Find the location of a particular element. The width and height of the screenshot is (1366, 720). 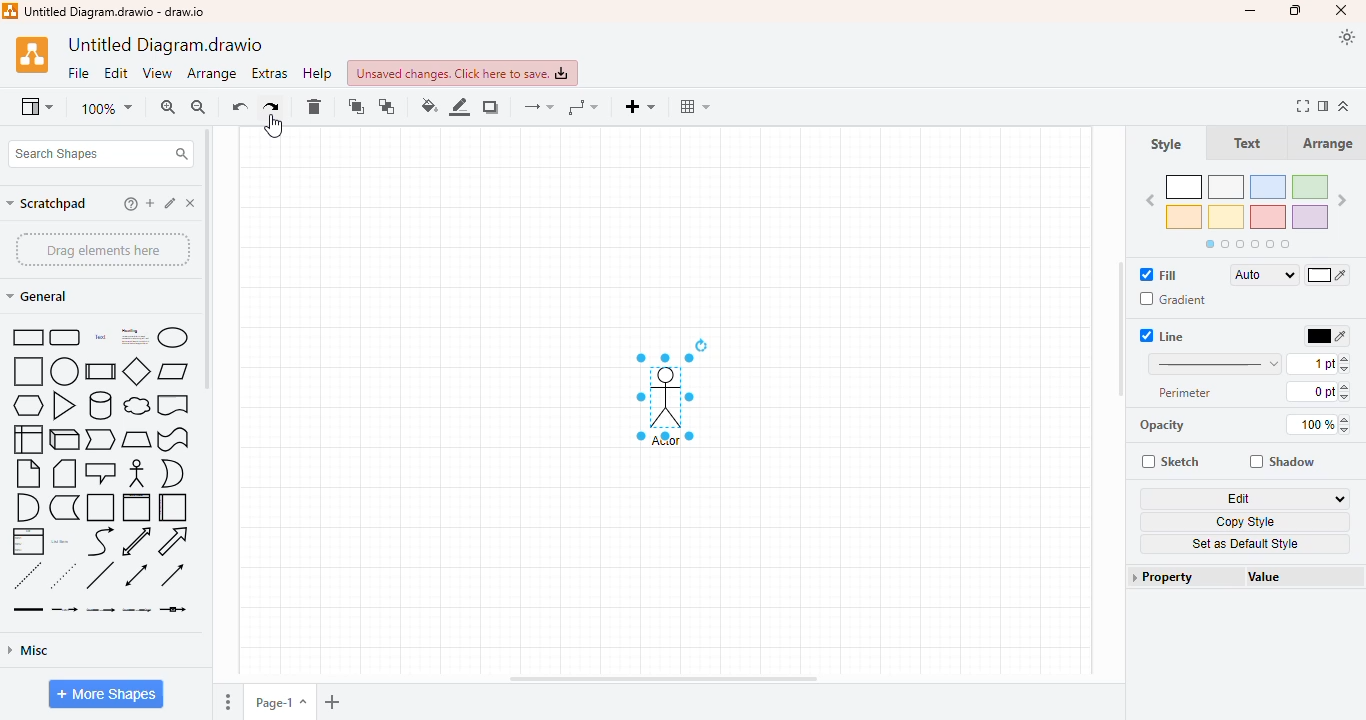

diamond is located at coordinates (137, 372).